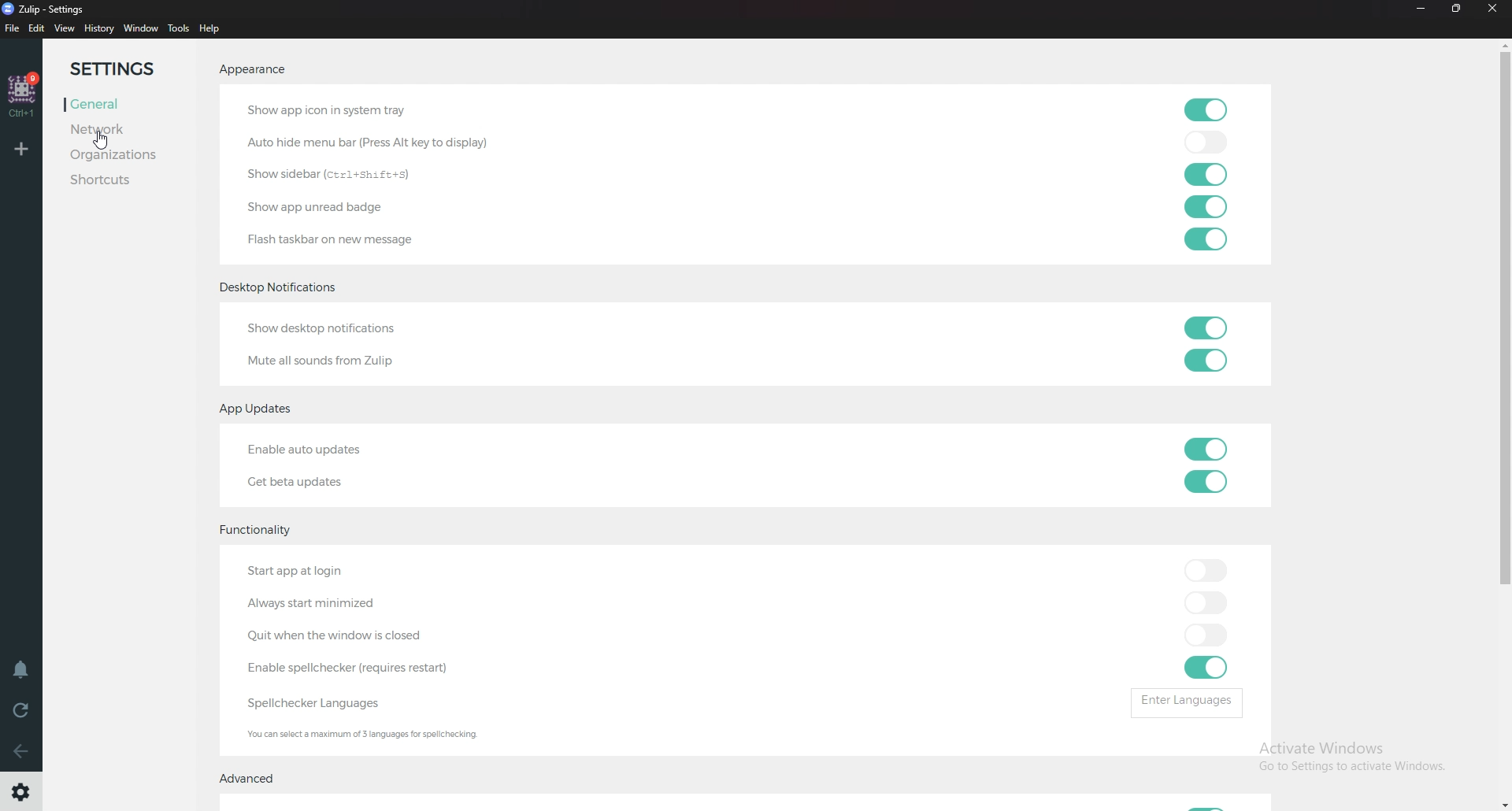 Image resolution: width=1512 pixels, height=811 pixels. What do you see at coordinates (1205, 239) in the screenshot?
I see `toggle` at bounding box center [1205, 239].